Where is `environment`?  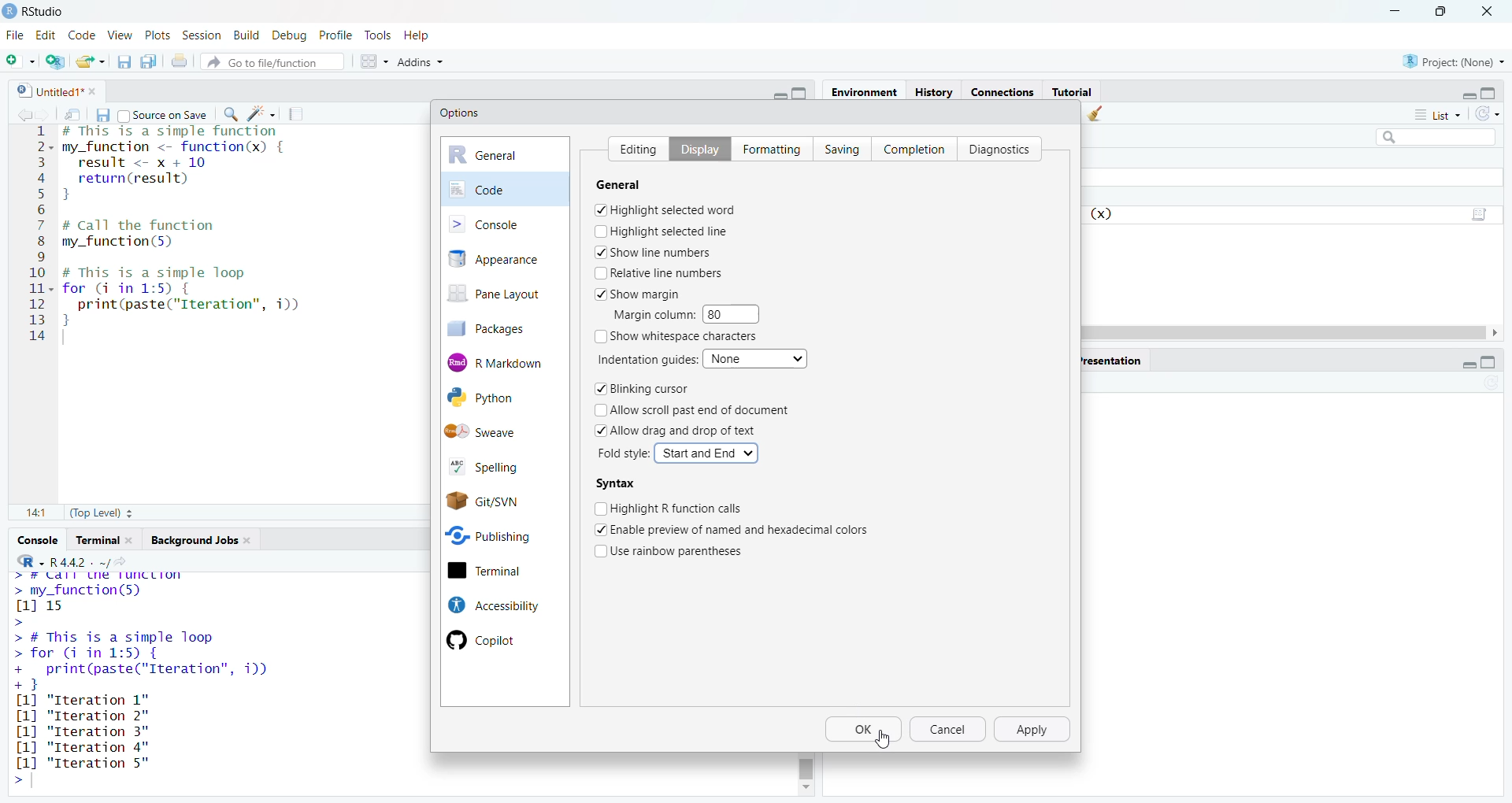 environment is located at coordinates (866, 92).